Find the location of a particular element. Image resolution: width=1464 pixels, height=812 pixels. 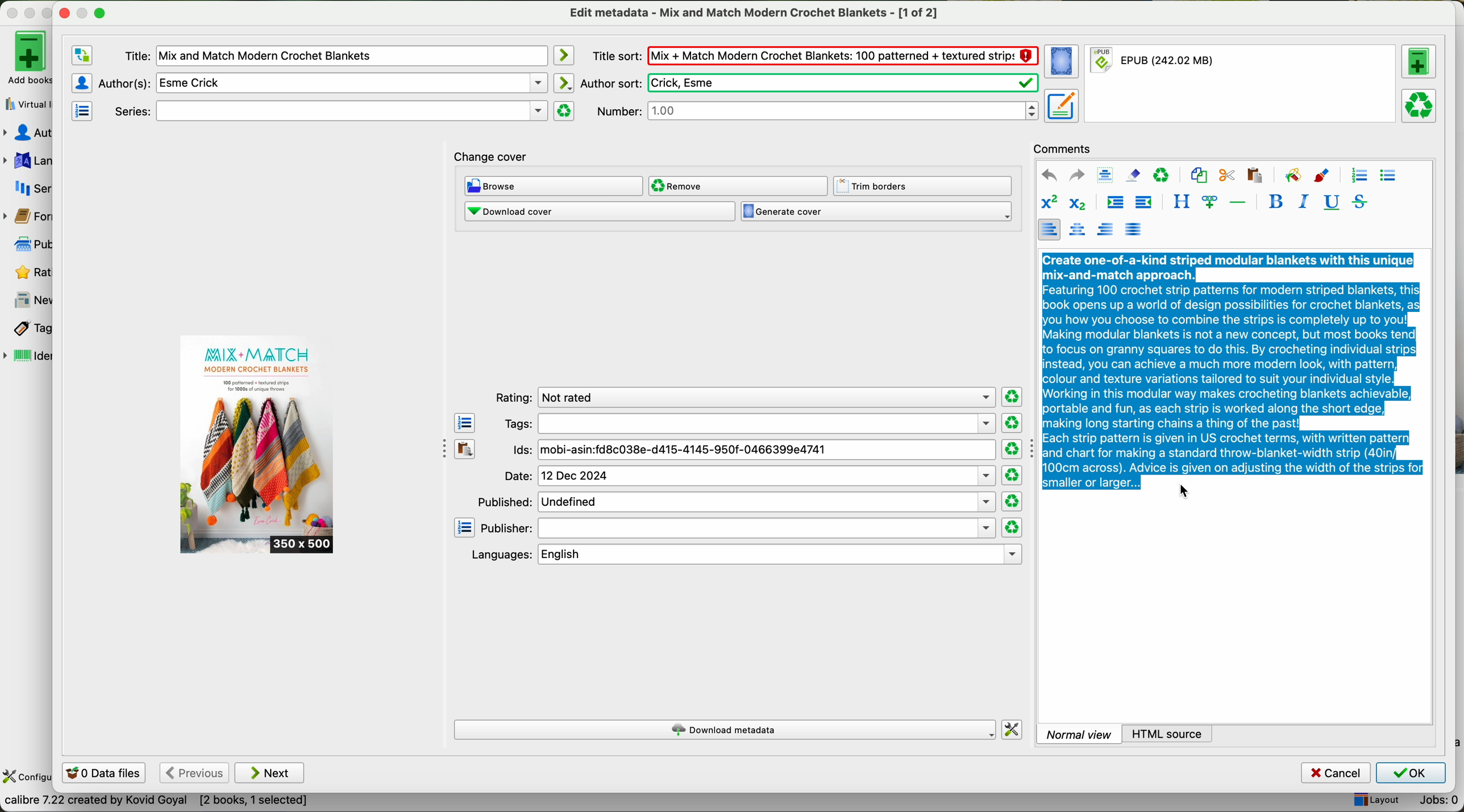

ids is located at coordinates (753, 451).